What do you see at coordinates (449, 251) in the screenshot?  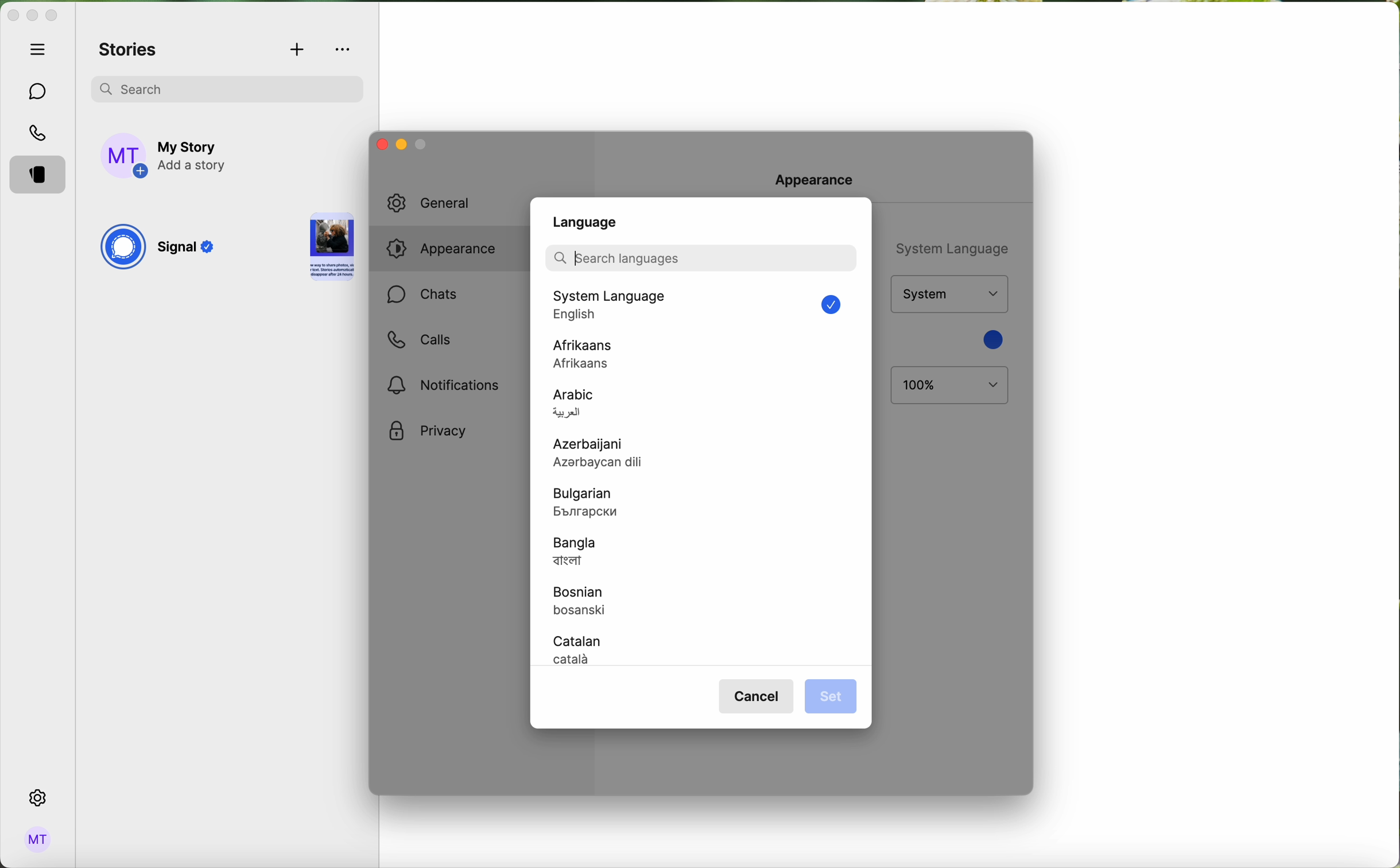 I see `click on appearance` at bounding box center [449, 251].